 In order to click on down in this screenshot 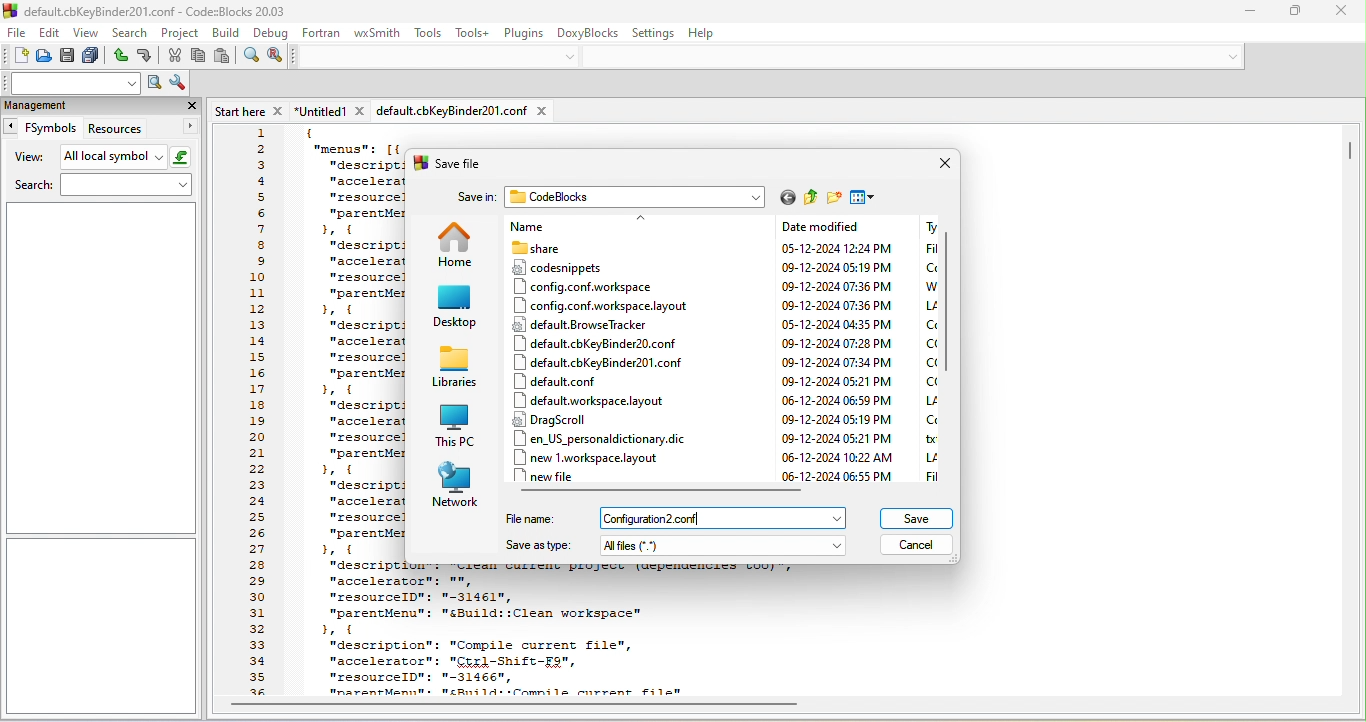, I will do `click(1234, 58)`.